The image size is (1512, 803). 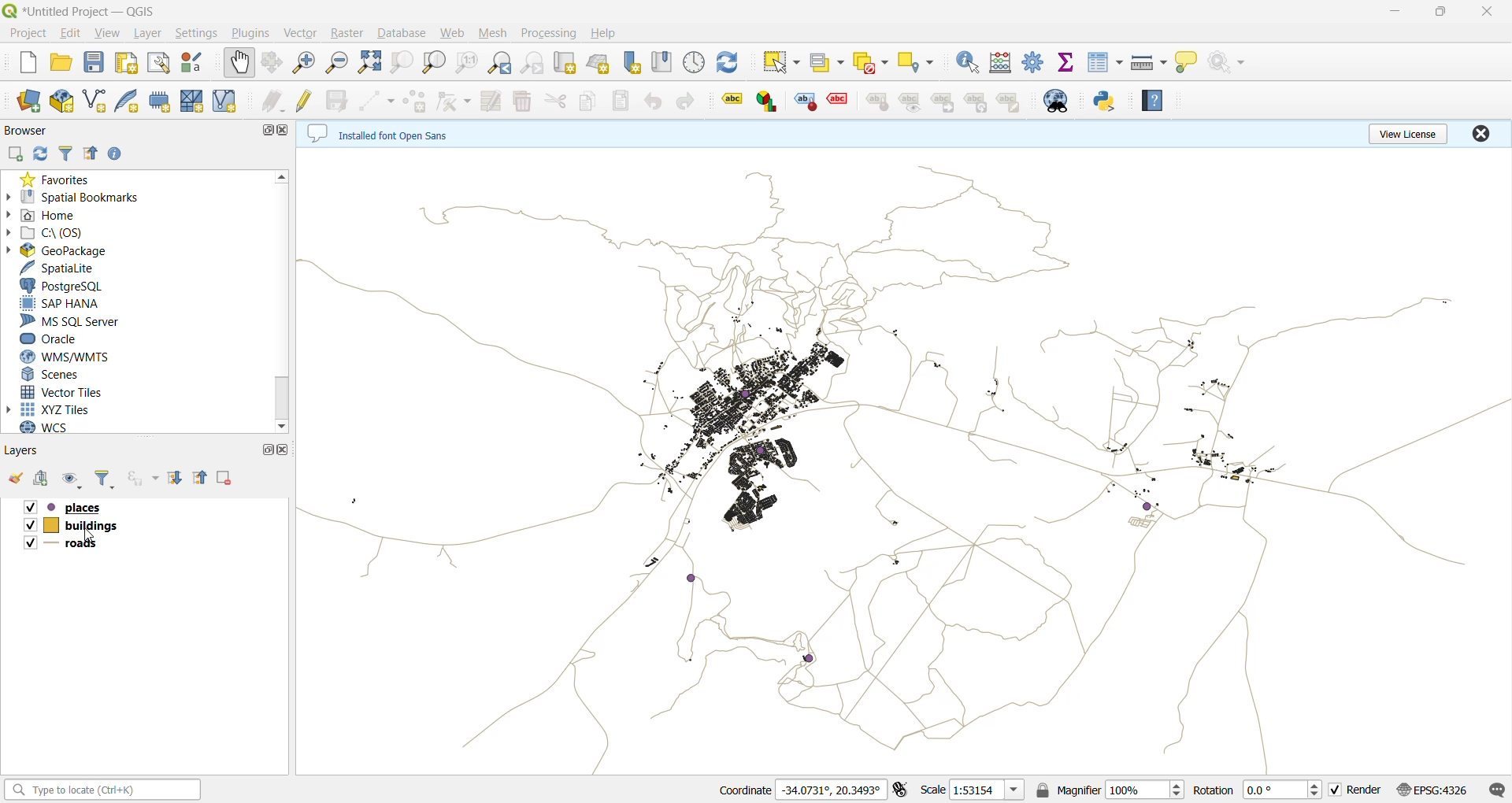 What do you see at coordinates (17, 479) in the screenshot?
I see `open` at bounding box center [17, 479].